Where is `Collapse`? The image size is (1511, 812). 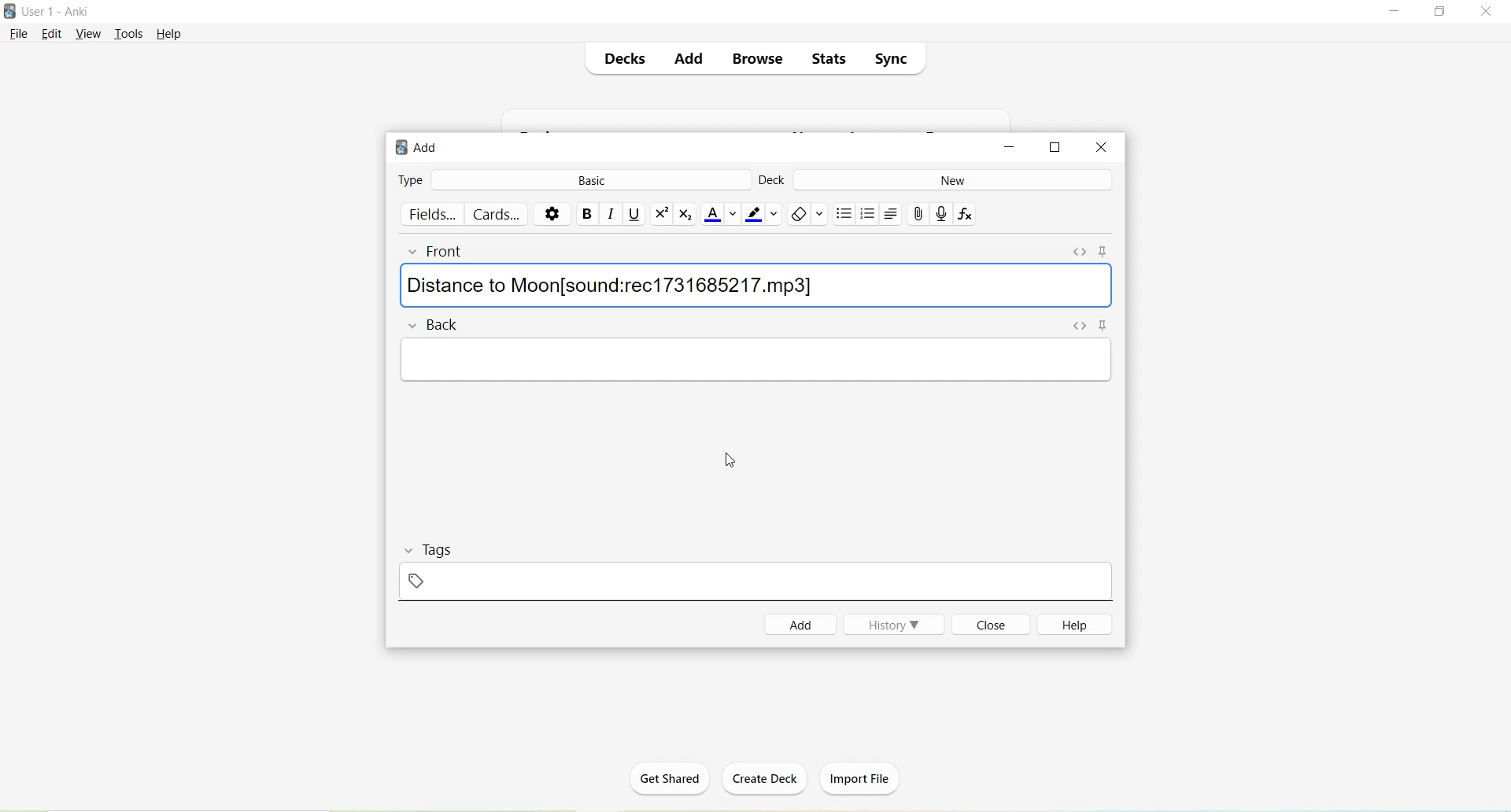 Collapse is located at coordinates (411, 551).